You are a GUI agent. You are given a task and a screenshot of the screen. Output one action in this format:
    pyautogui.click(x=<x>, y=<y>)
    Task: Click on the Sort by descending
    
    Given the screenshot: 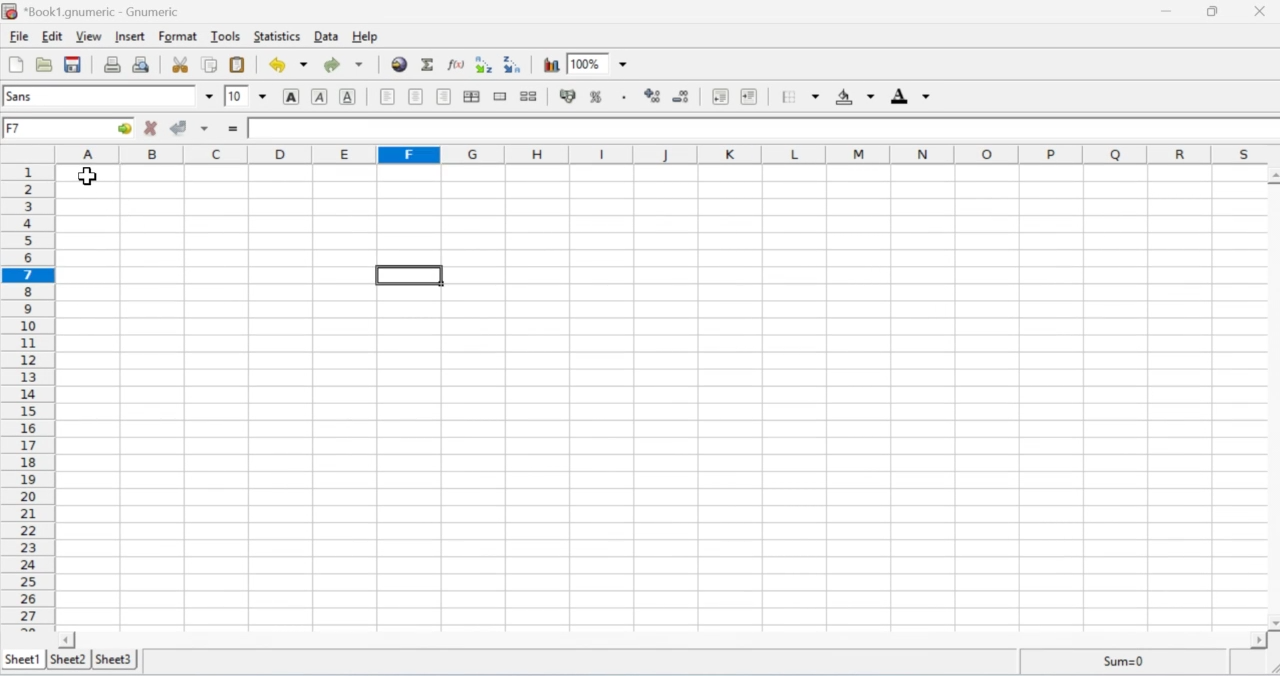 What is the action you would take?
    pyautogui.click(x=515, y=65)
    